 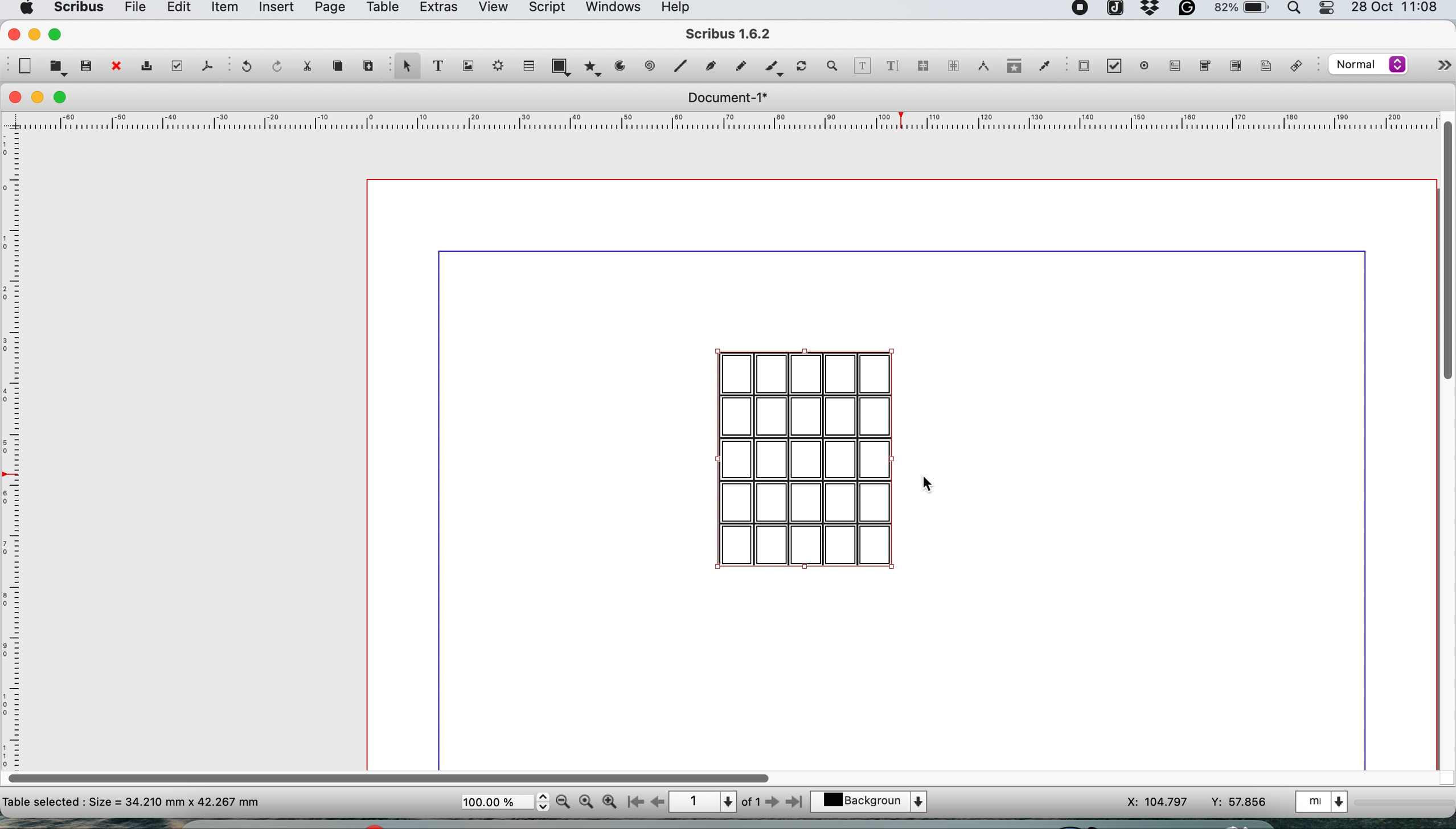 I want to click on copy item properties, so click(x=1011, y=69).